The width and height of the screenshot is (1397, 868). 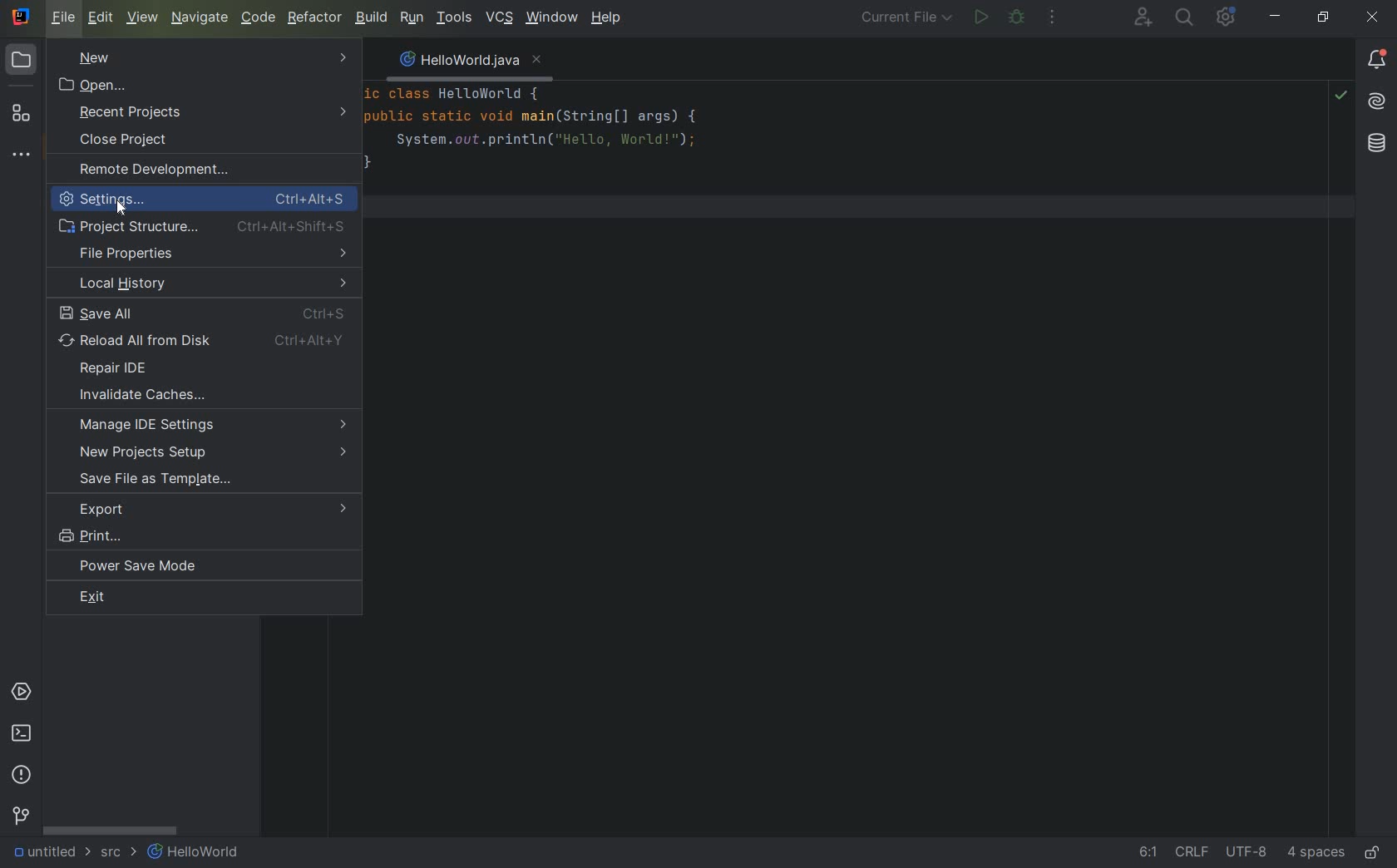 I want to click on FILE PROPERTIES, so click(x=210, y=253).